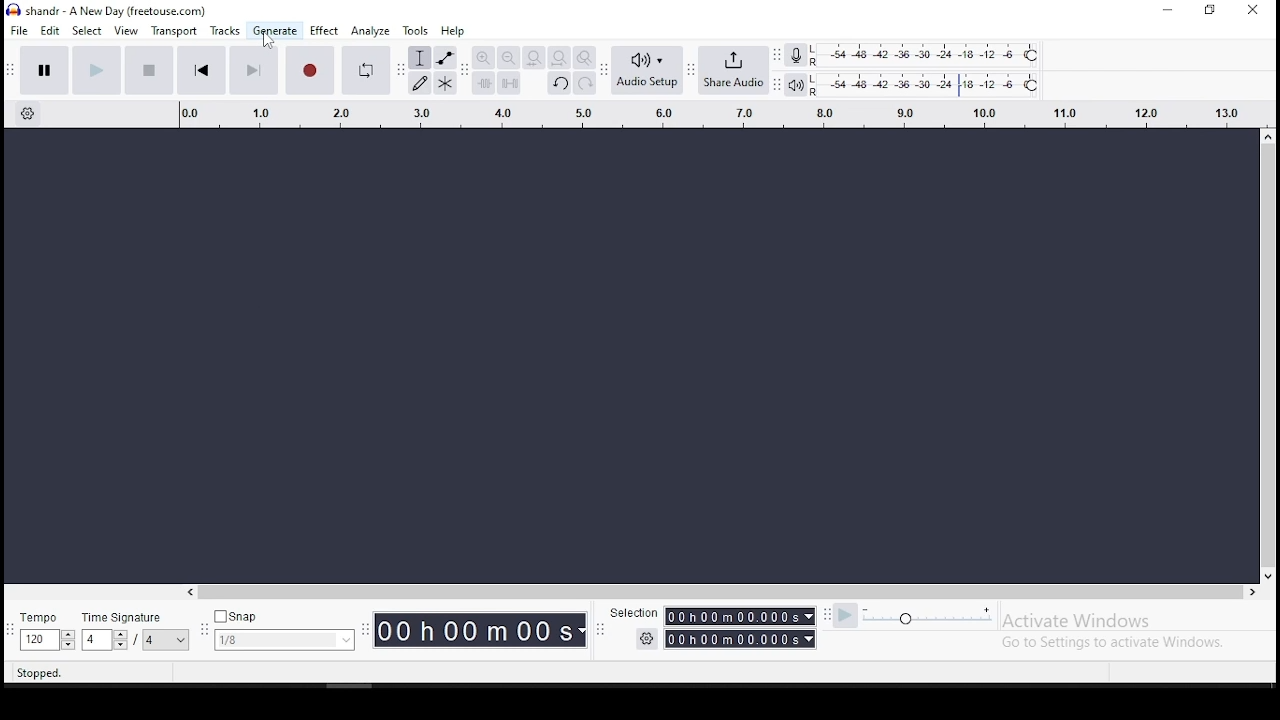 This screenshot has width=1280, height=720. Describe the element at coordinates (267, 41) in the screenshot. I see `cursor` at that location.